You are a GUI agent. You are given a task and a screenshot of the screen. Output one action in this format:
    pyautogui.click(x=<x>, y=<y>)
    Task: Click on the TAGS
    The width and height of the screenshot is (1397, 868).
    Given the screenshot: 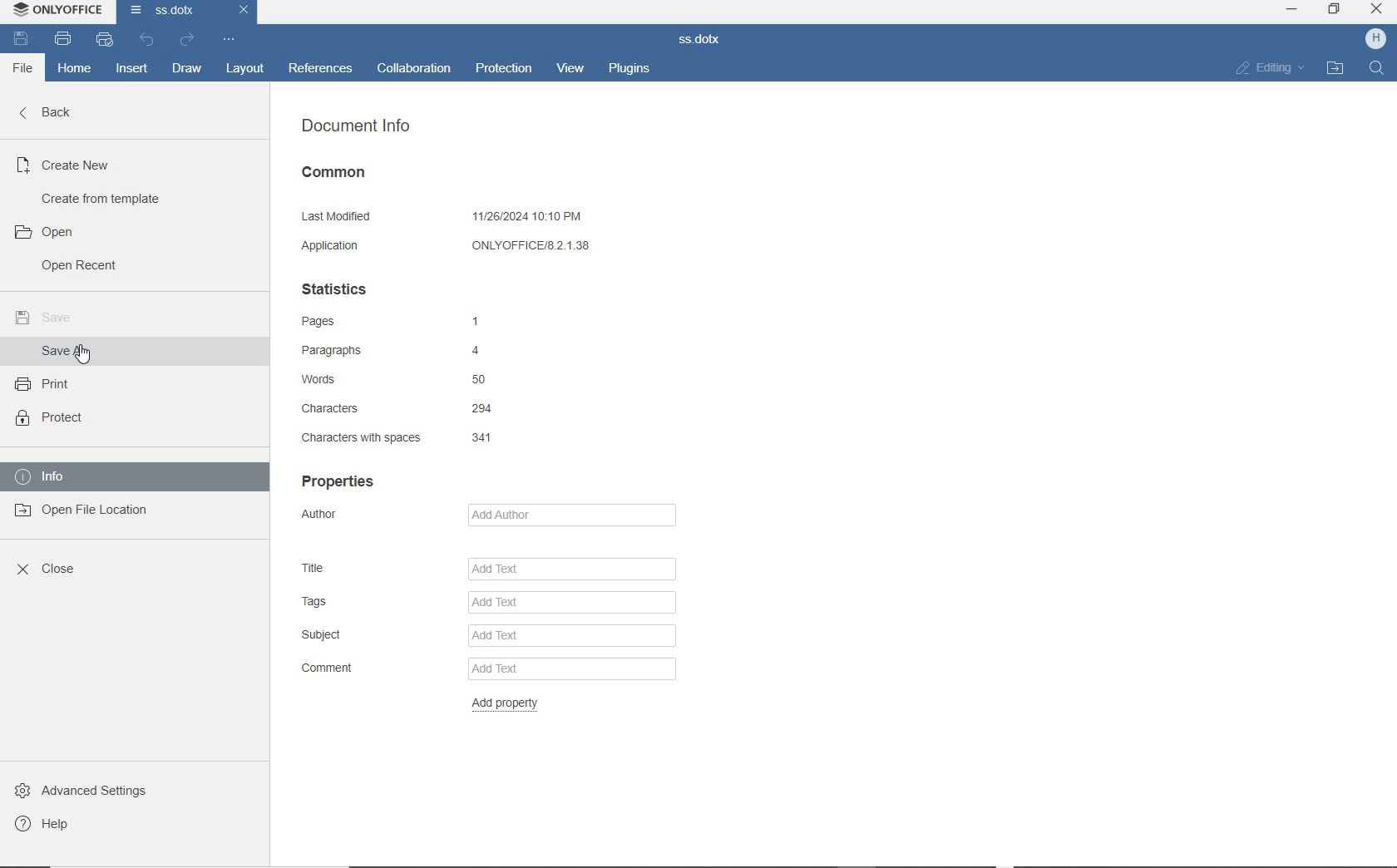 What is the action you would take?
    pyautogui.click(x=487, y=601)
    